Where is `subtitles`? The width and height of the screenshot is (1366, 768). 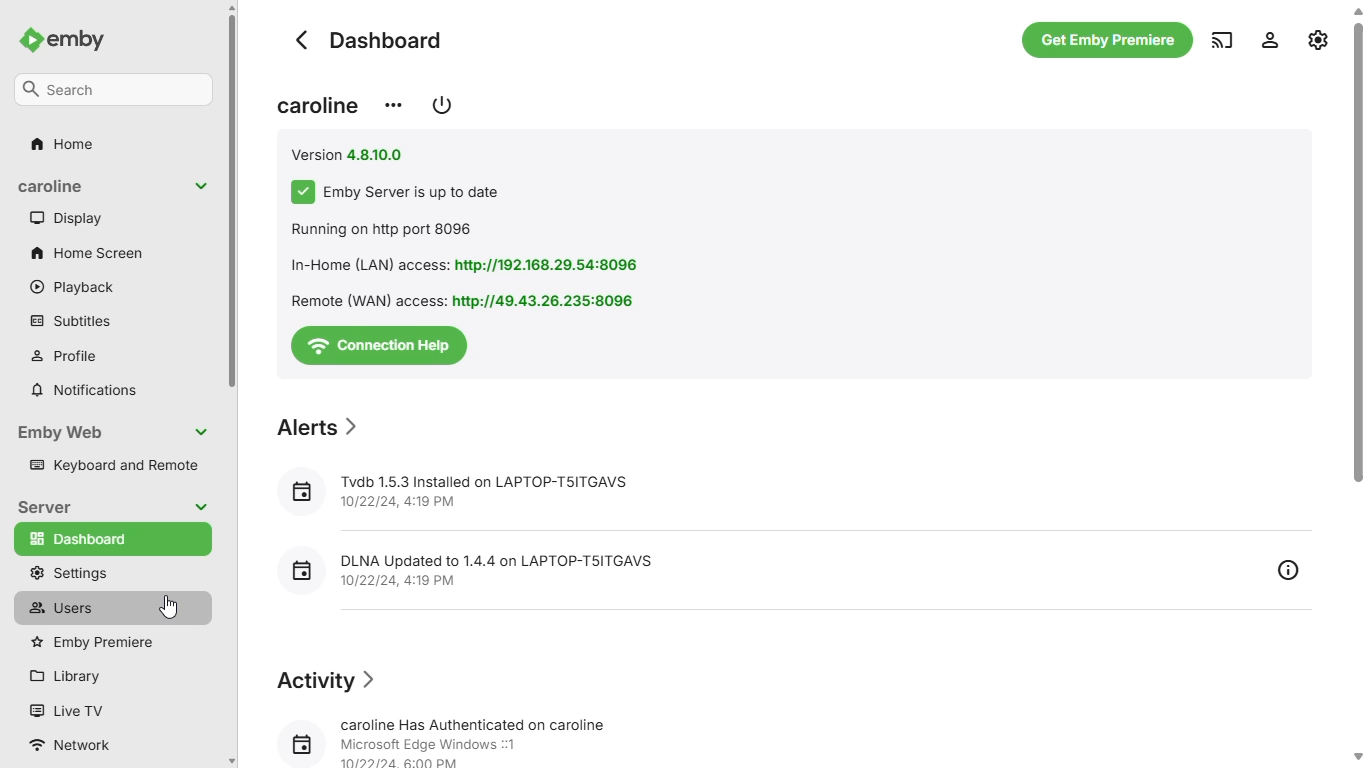
subtitles is located at coordinates (71, 321).